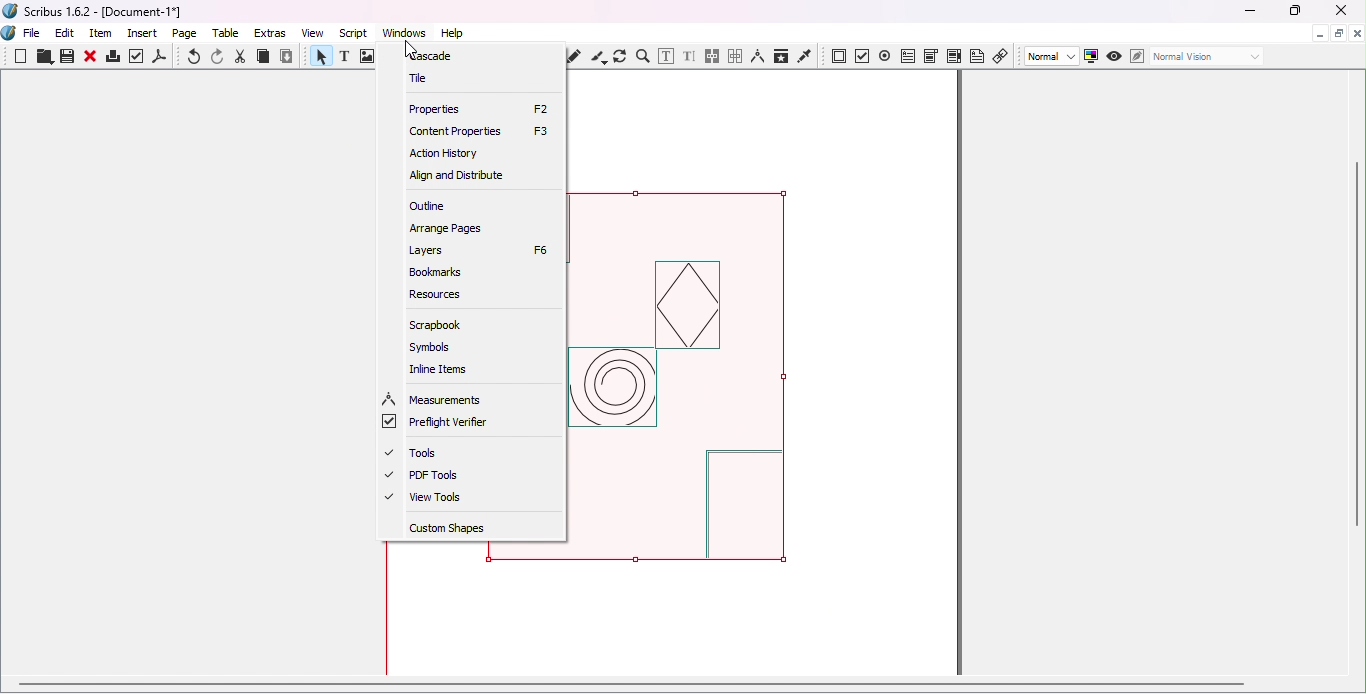 The height and width of the screenshot is (694, 1366). I want to click on PDF check button, so click(863, 55).